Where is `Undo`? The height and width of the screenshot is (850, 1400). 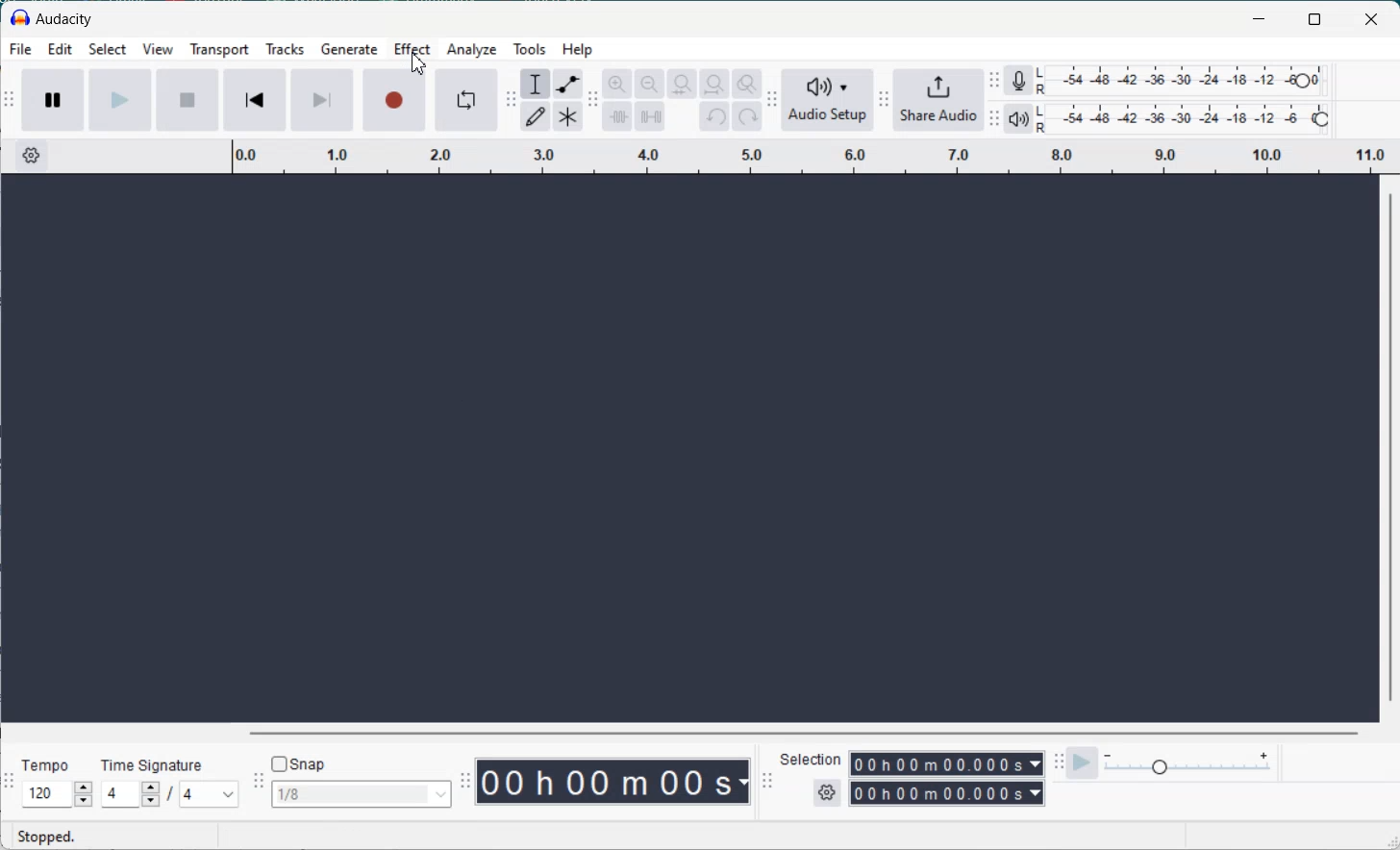
Undo is located at coordinates (714, 116).